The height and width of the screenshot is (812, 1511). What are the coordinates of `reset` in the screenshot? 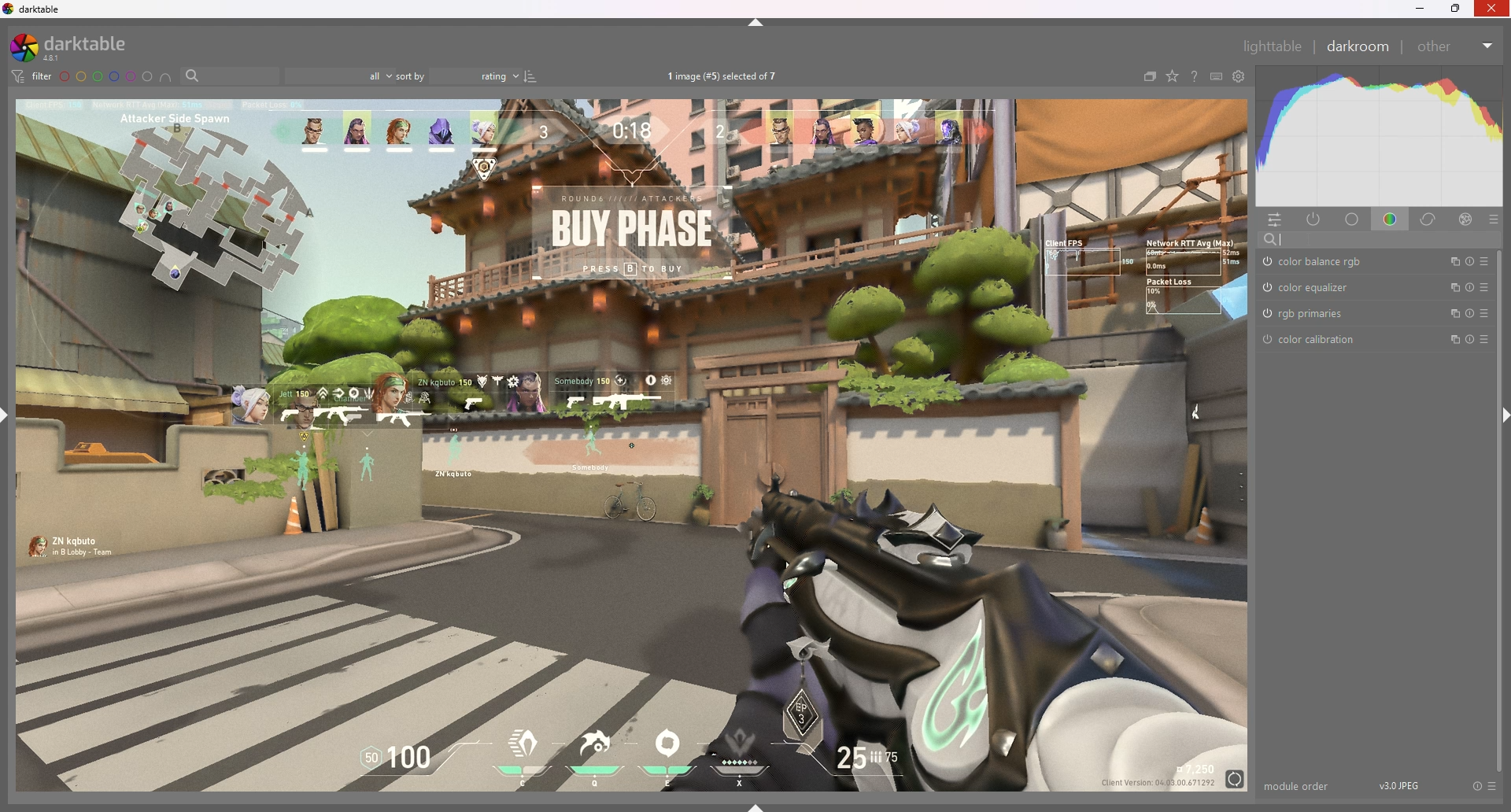 It's located at (1469, 315).